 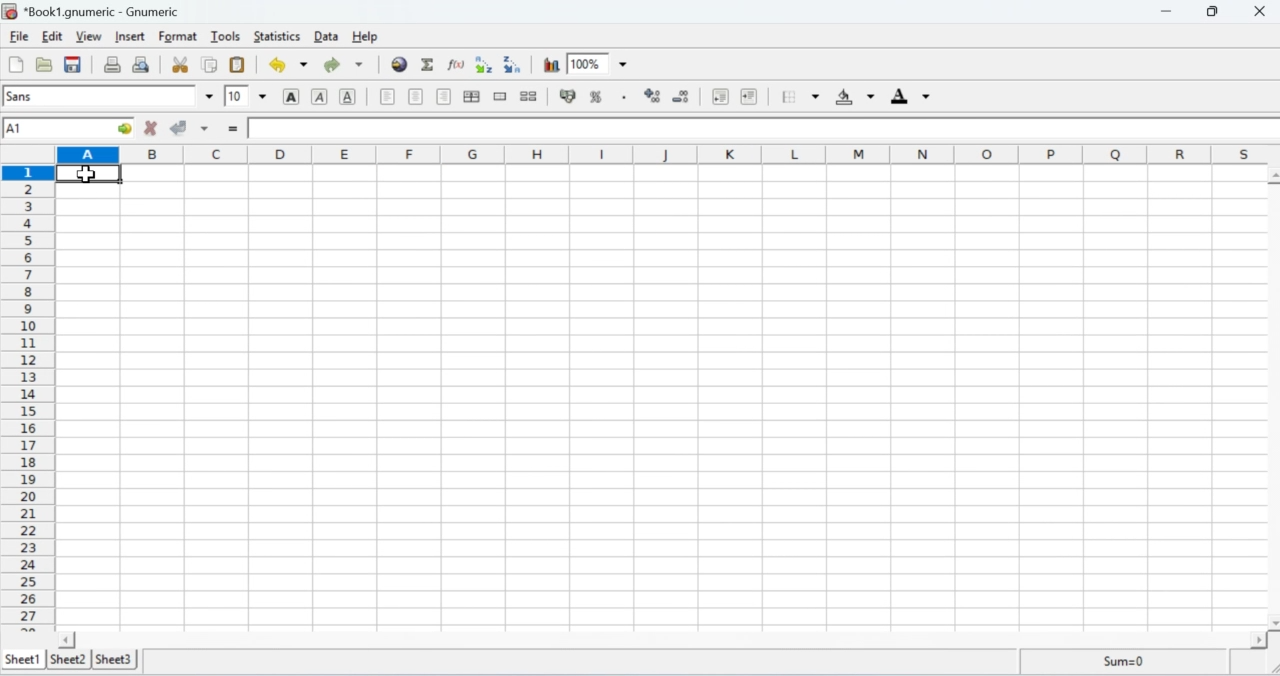 I want to click on Align left, so click(x=384, y=97).